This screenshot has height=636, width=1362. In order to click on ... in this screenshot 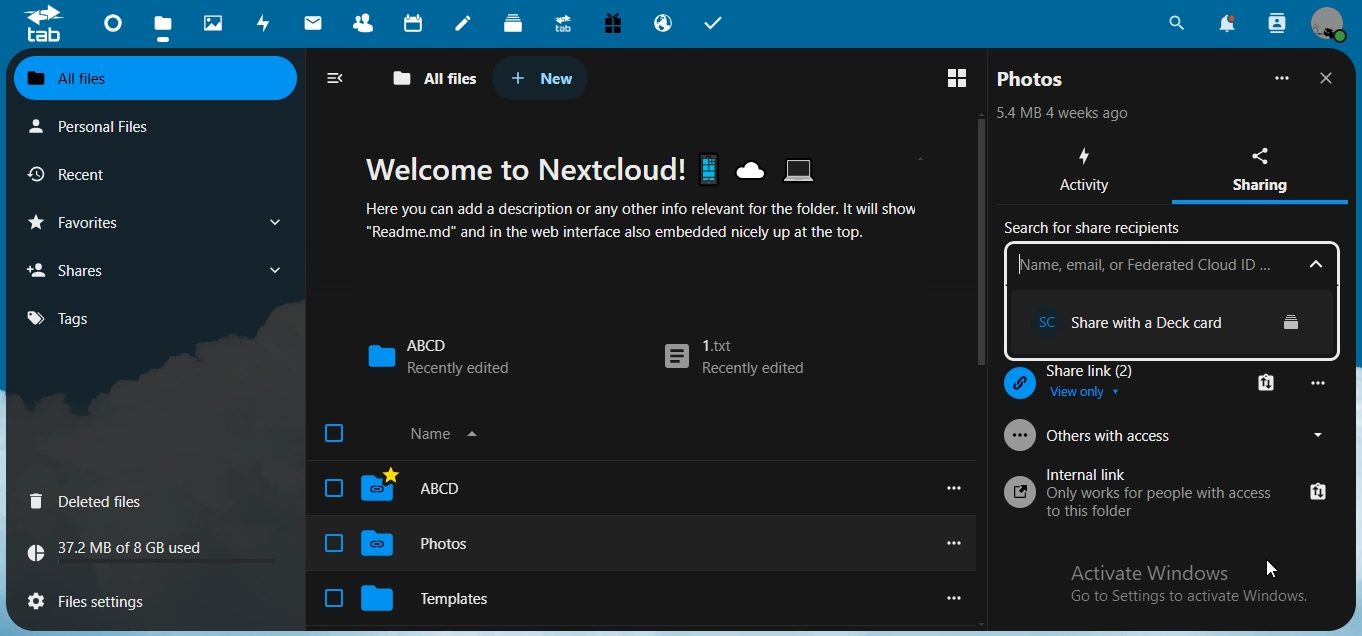, I will do `click(1283, 78)`.